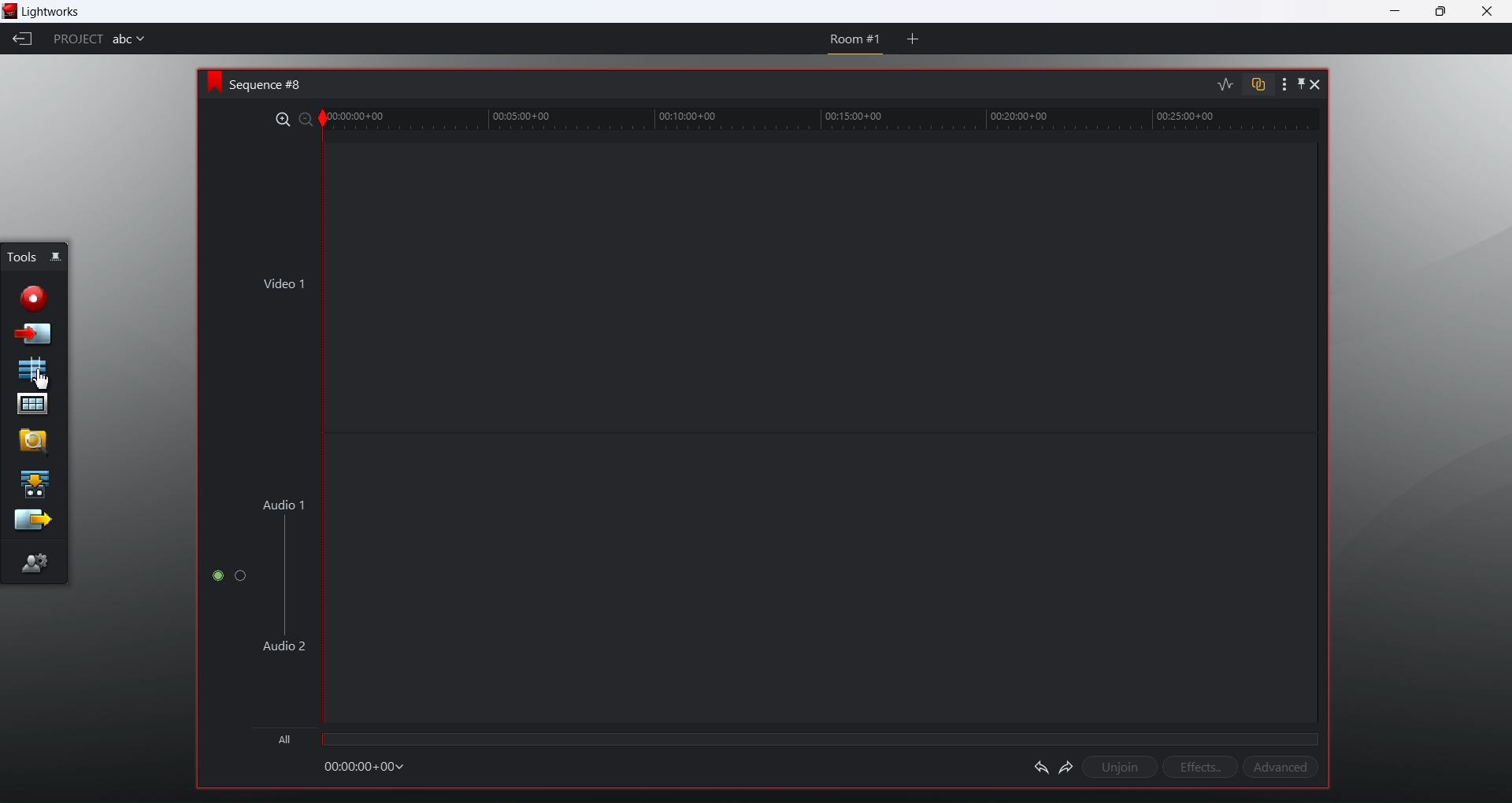 The height and width of the screenshot is (803, 1512). What do you see at coordinates (1446, 13) in the screenshot?
I see `maximize` at bounding box center [1446, 13].